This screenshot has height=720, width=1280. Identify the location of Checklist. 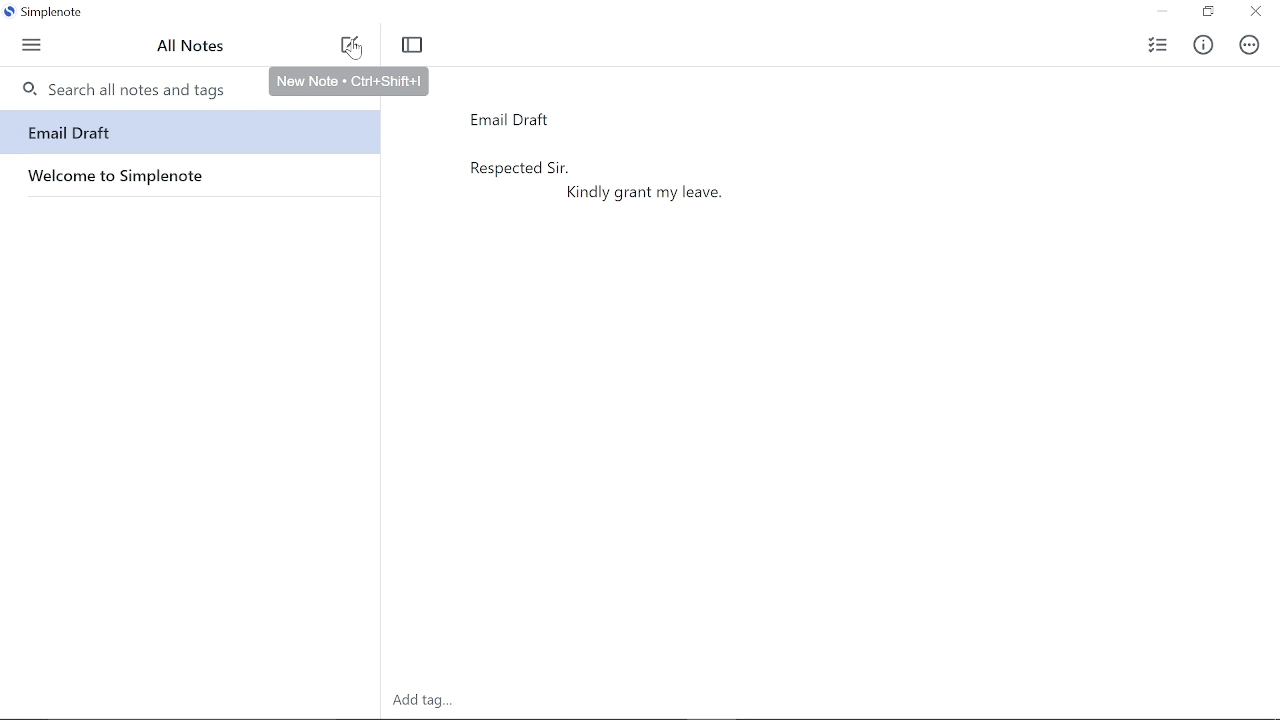
(1156, 45).